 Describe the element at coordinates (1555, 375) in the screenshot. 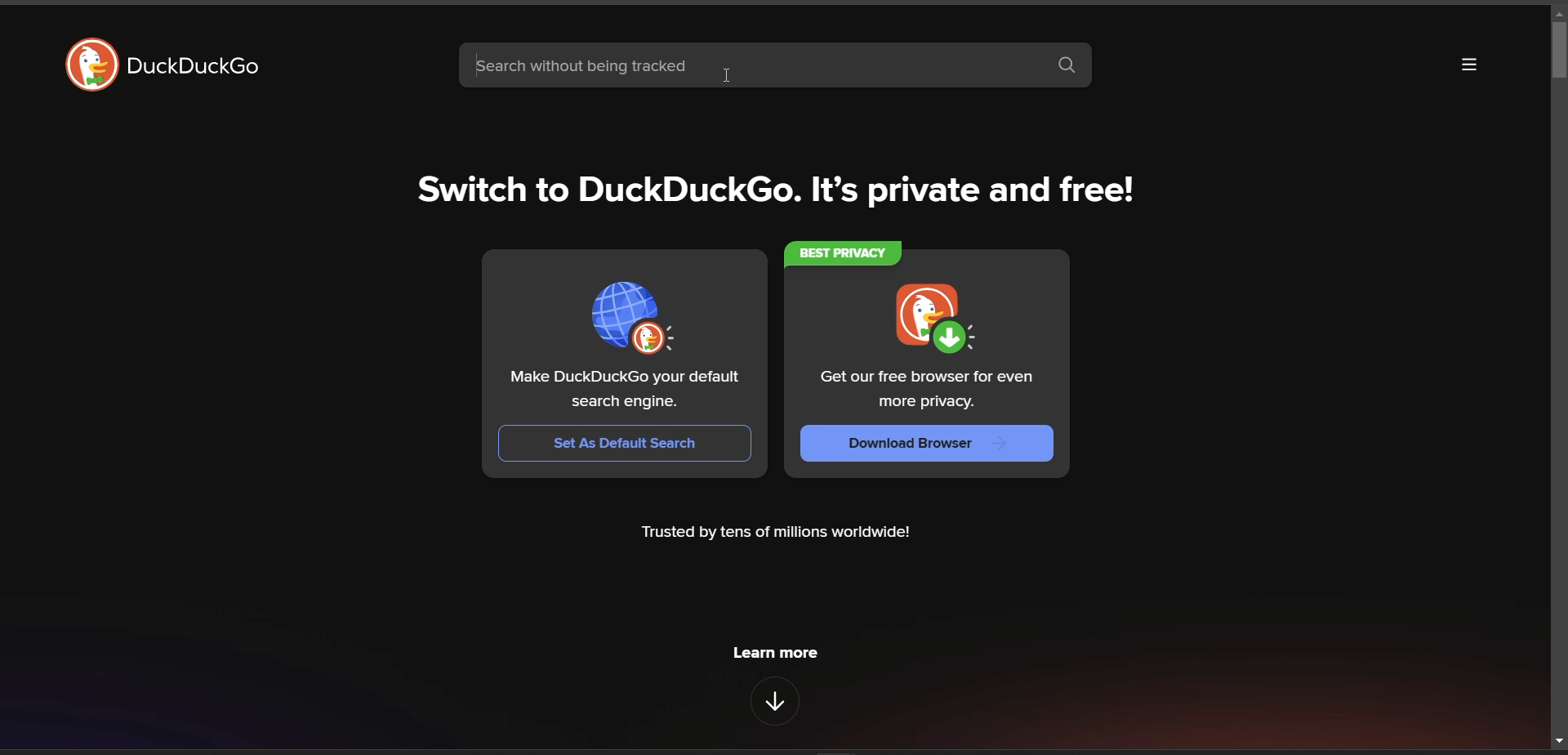

I see `vertical scroll bar` at that location.